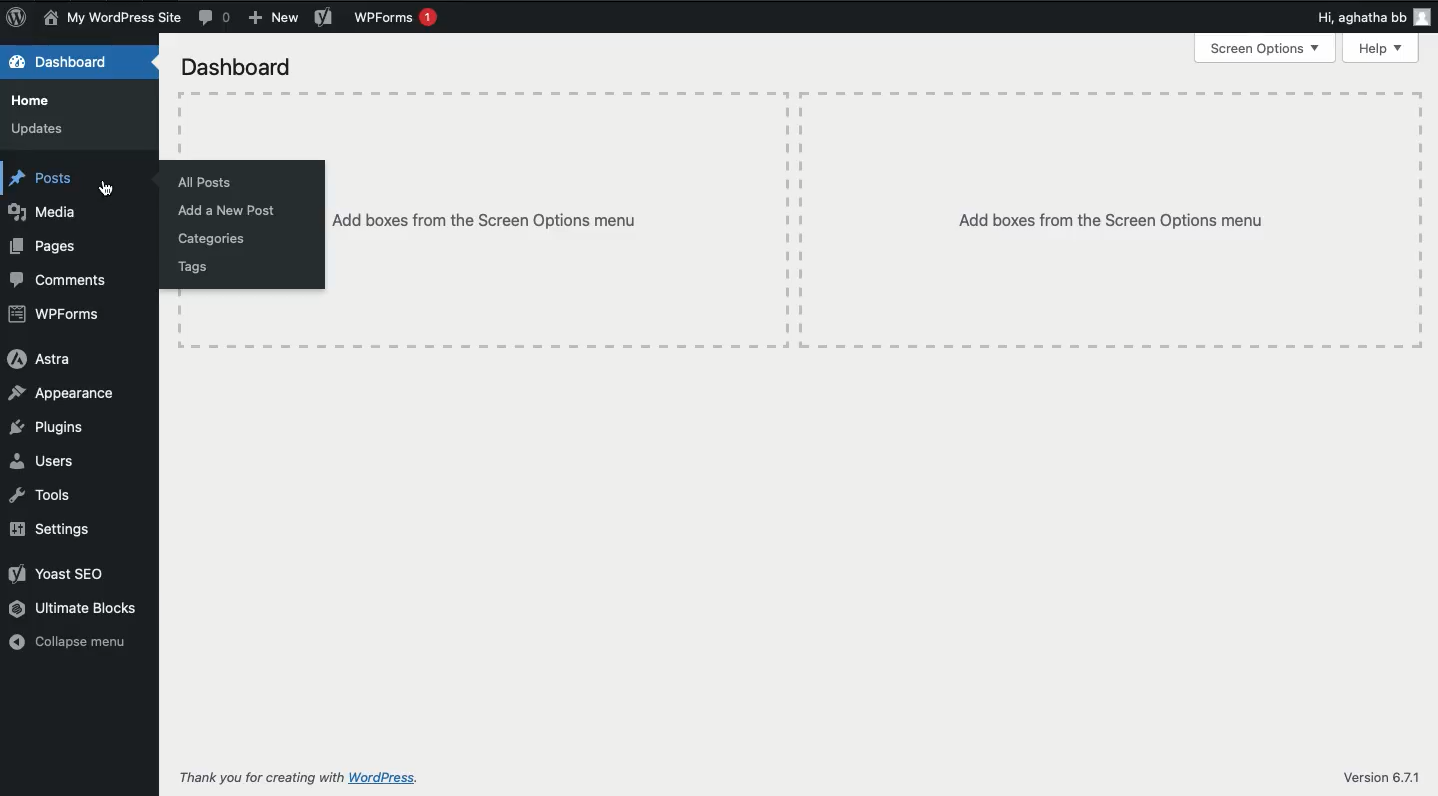 The width and height of the screenshot is (1438, 796). What do you see at coordinates (64, 61) in the screenshot?
I see `Dashboard` at bounding box center [64, 61].